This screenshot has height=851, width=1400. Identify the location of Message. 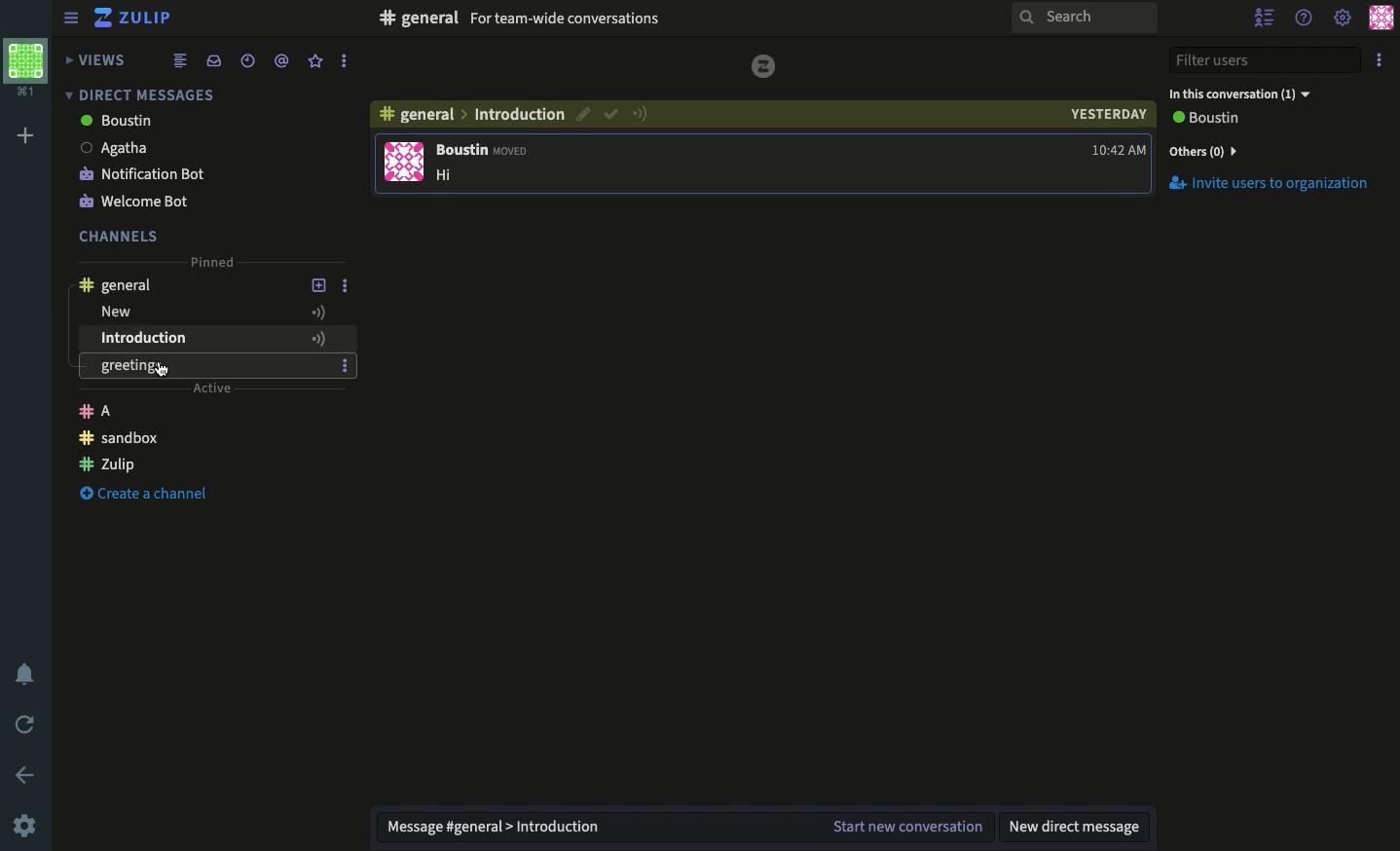
(588, 828).